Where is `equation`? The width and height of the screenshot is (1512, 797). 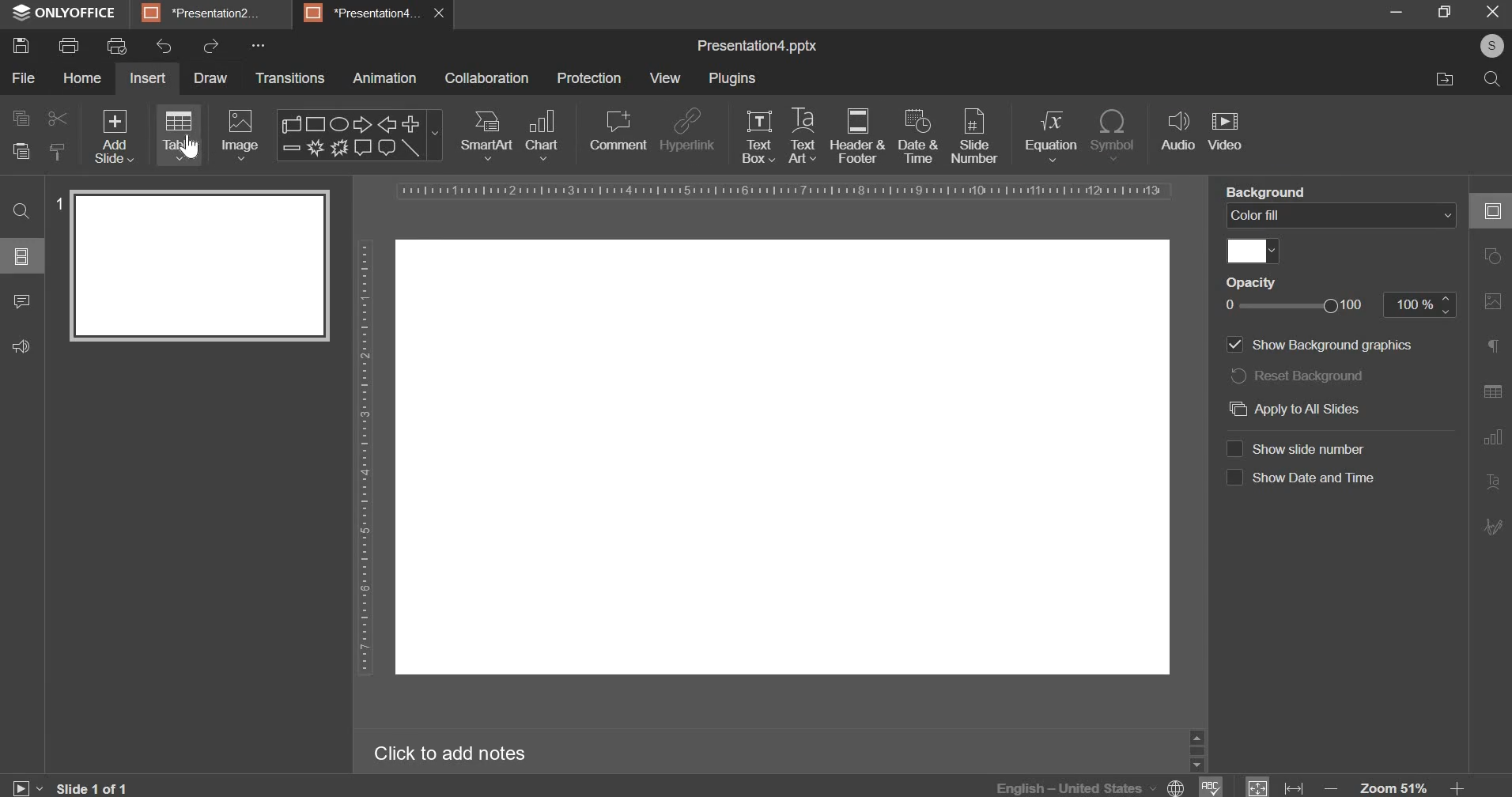 equation is located at coordinates (1050, 135).